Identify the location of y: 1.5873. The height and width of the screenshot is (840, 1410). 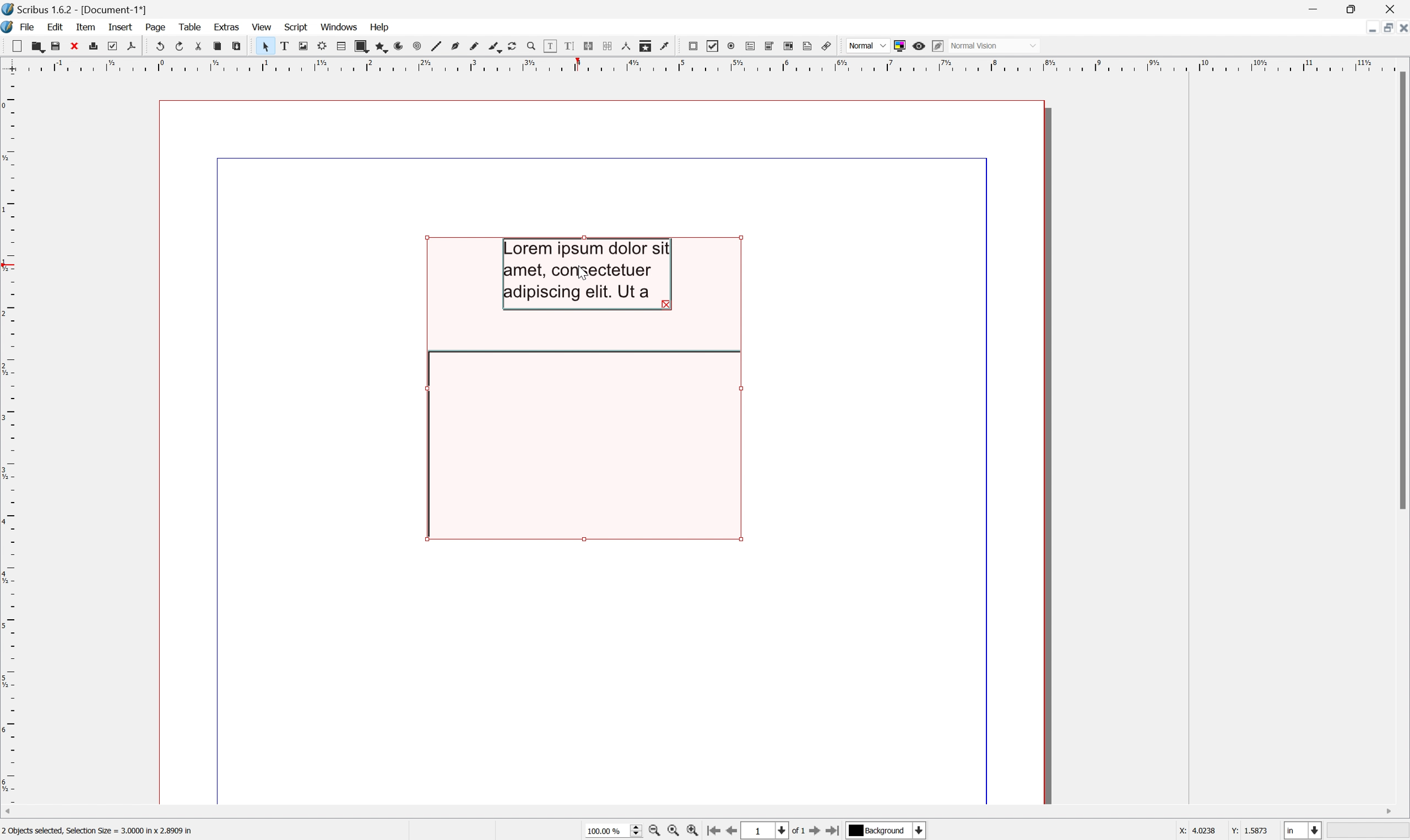
(1249, 832).